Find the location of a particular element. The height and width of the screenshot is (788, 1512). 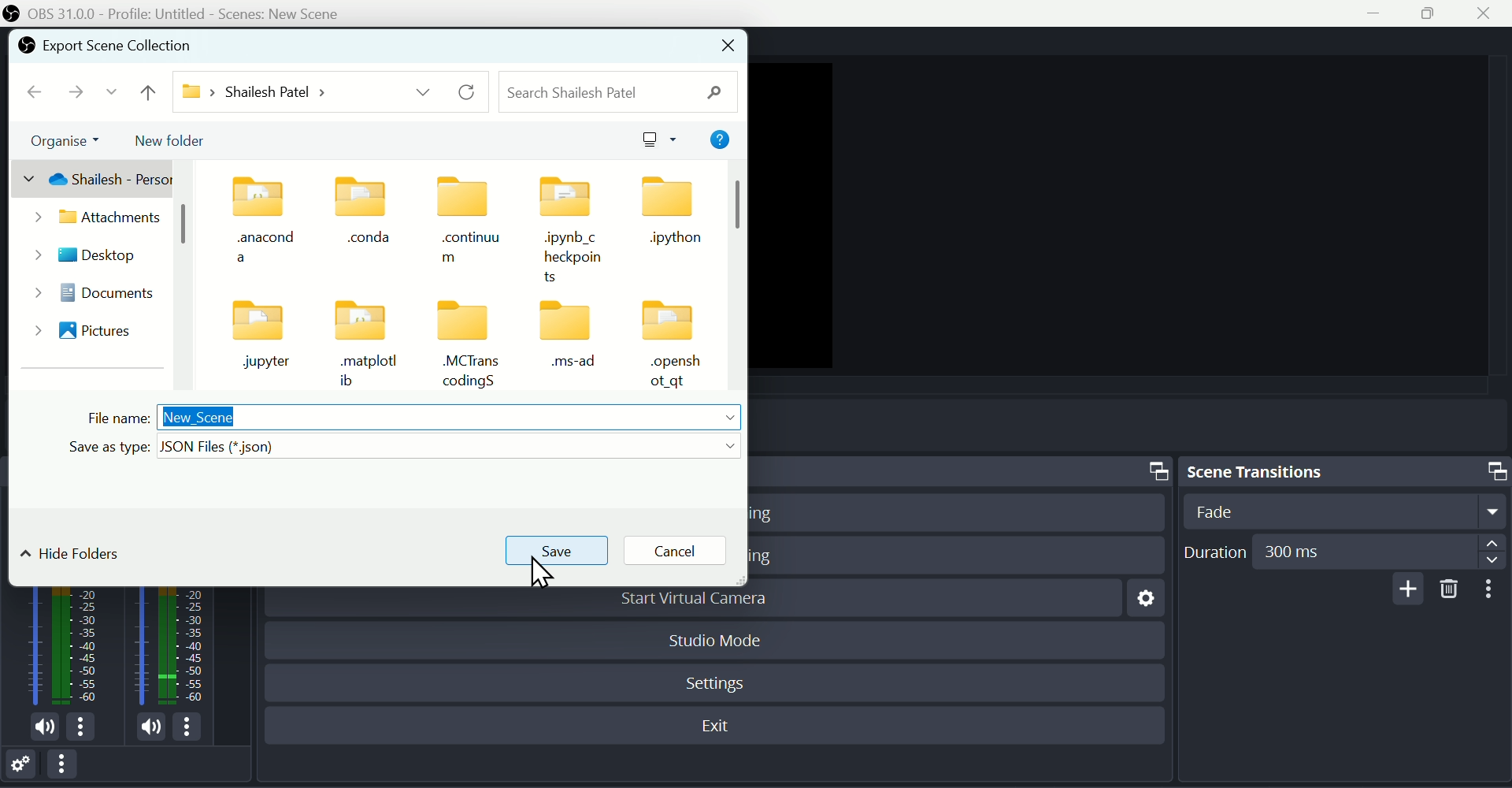

cursor on save is located at coordinates (543, 573).